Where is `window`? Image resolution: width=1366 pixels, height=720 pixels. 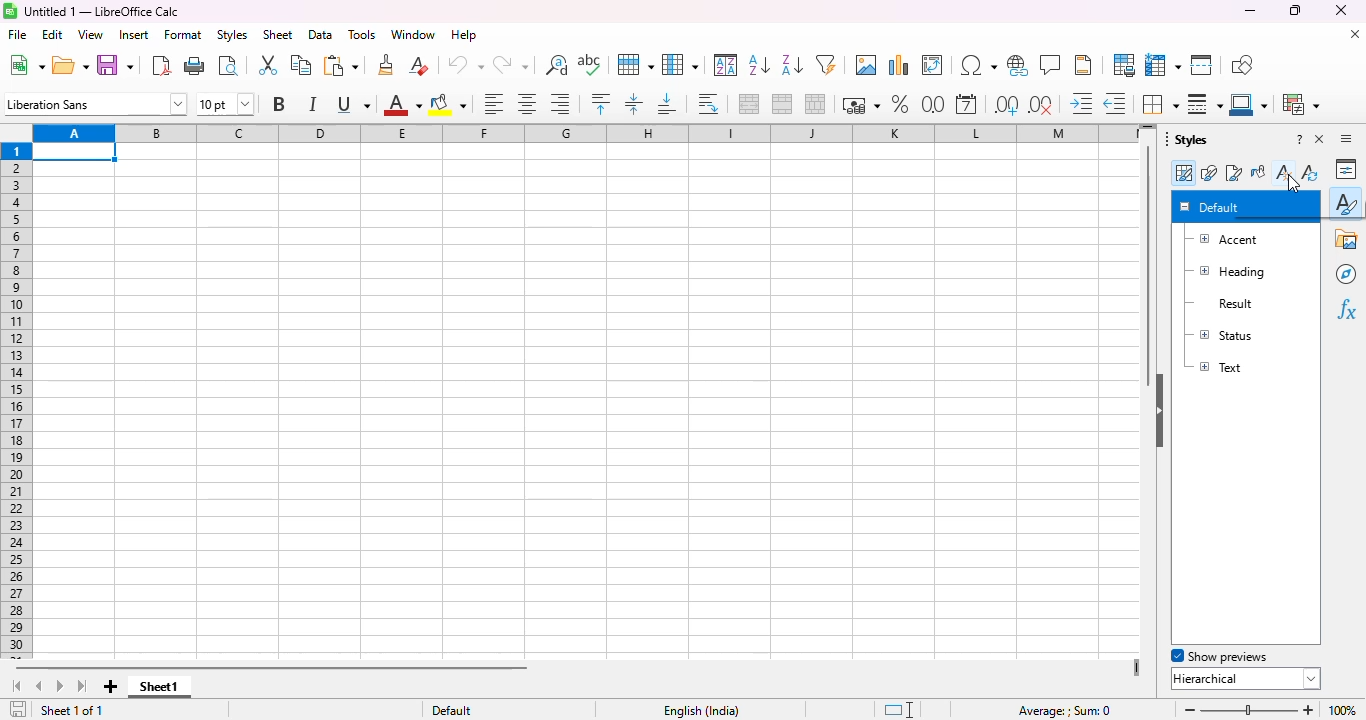
window is located at coordinates (413, 34).